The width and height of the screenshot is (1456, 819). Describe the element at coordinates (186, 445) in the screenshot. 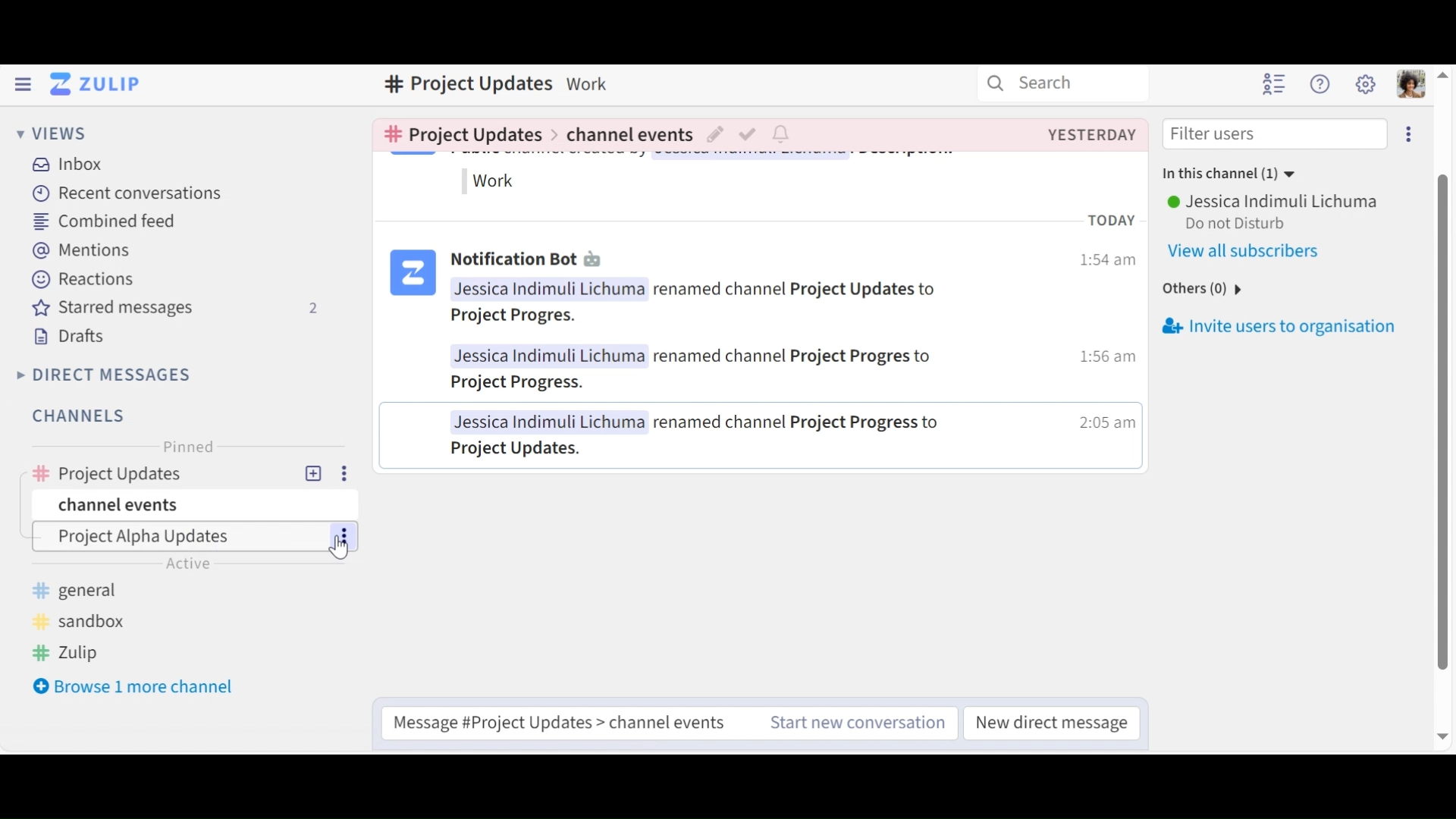

I see `Pinned` at that location.